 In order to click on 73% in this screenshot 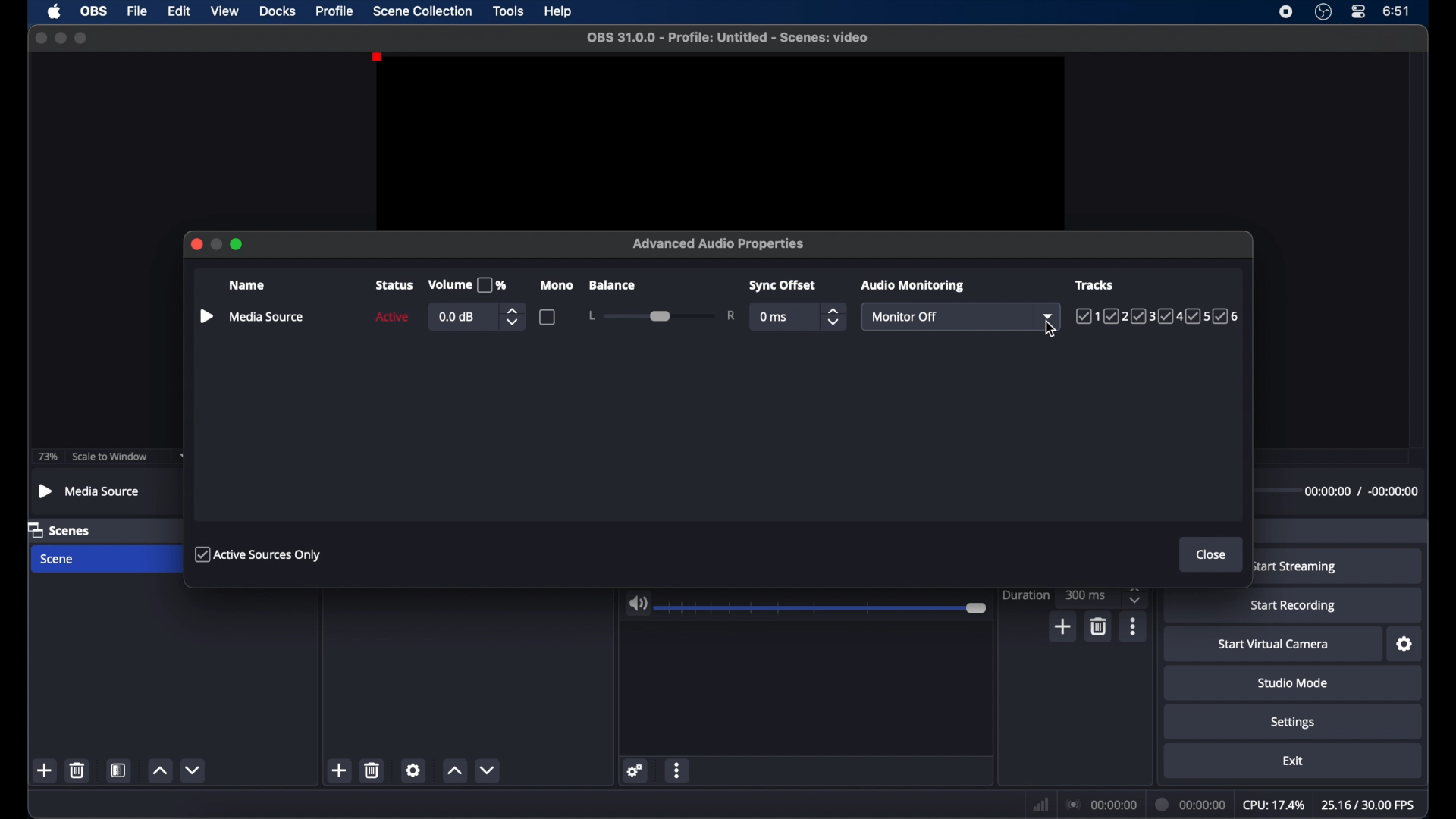, I will do `click(46, 457)`.